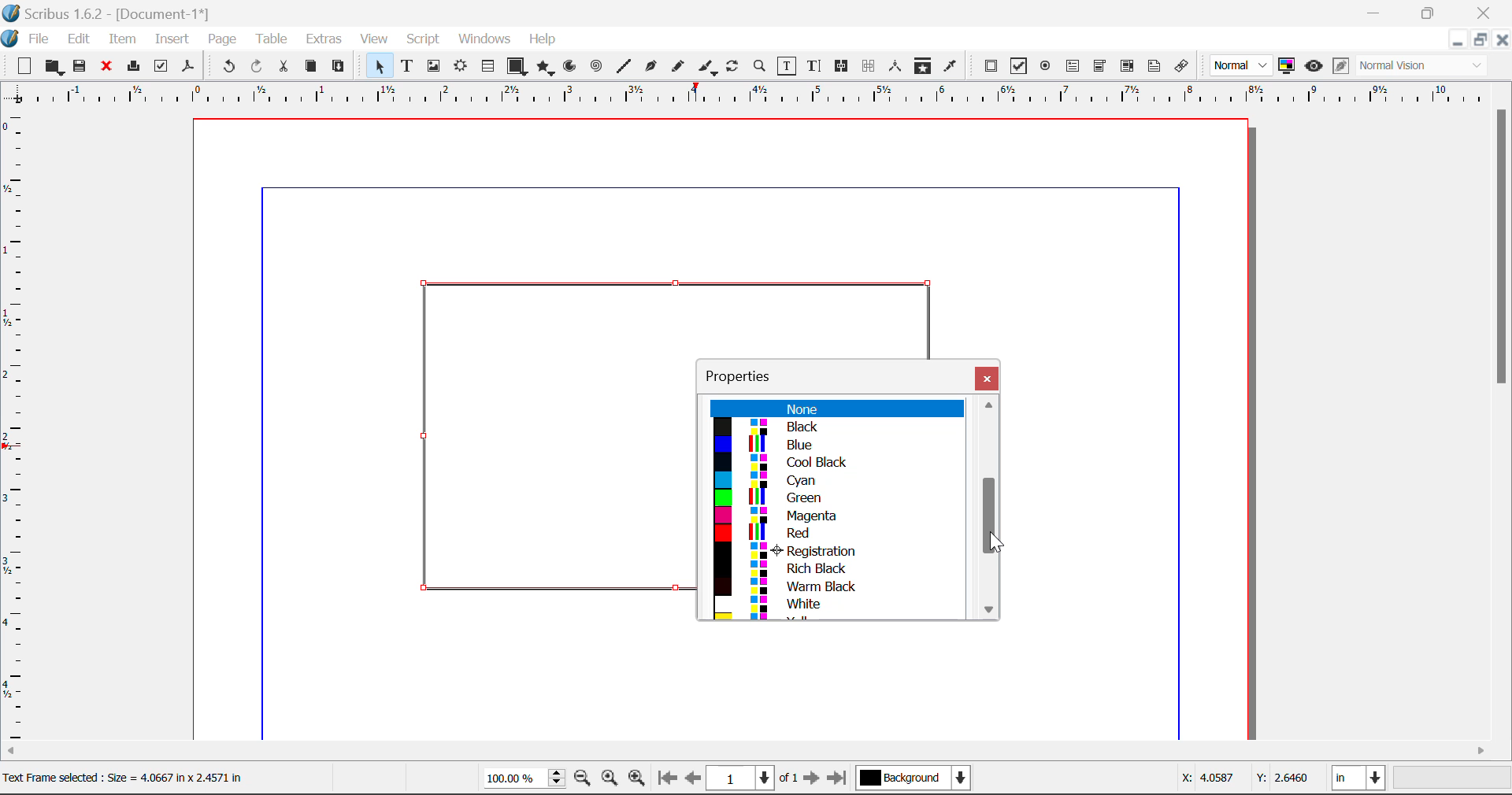  What do you see at coordinates (81, 66) in the screenshot?
I see `Save` at bounding box center [81, 66].